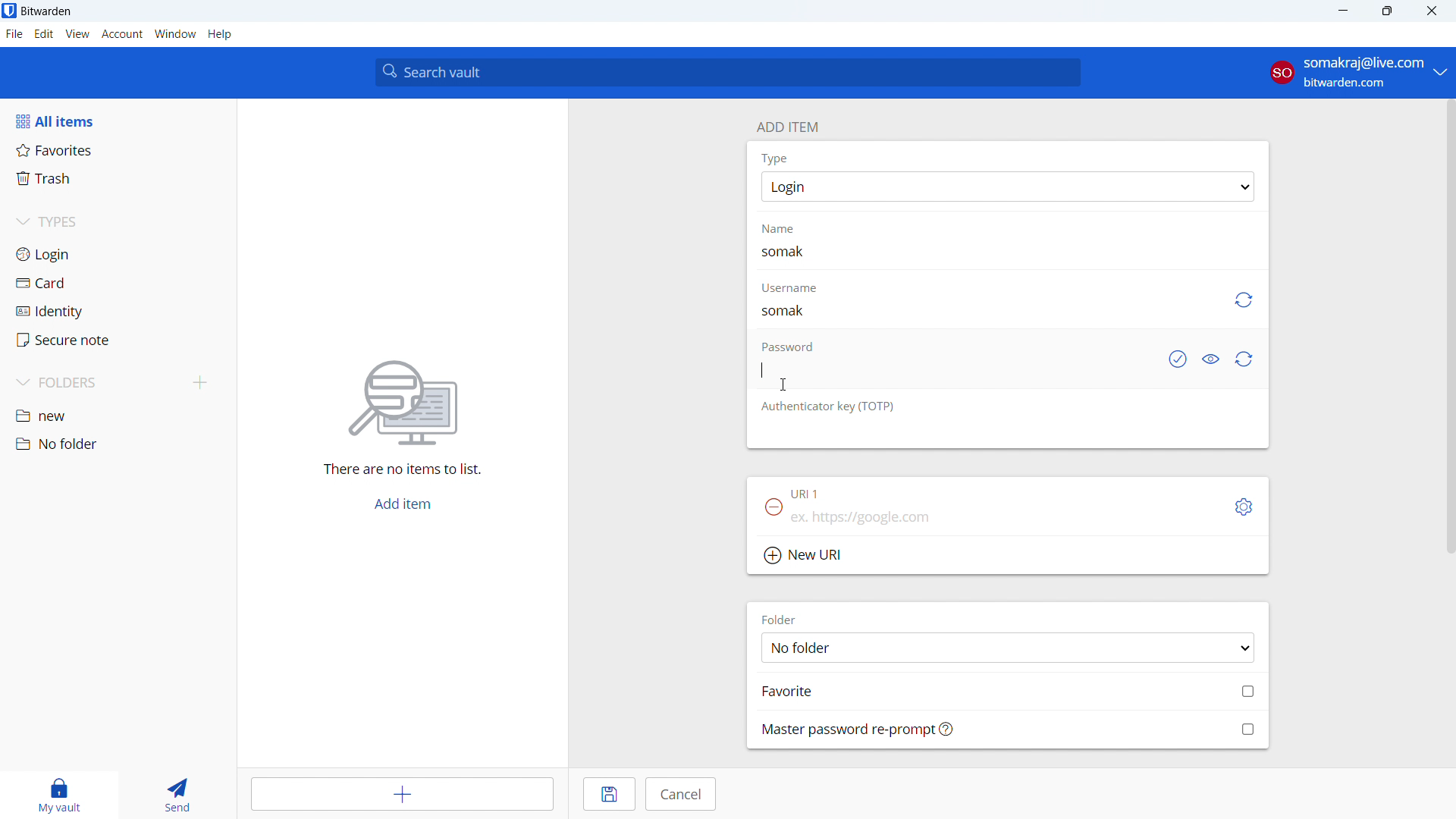 The image size is (1456, 819). I want to click on view, so click(77, 34).